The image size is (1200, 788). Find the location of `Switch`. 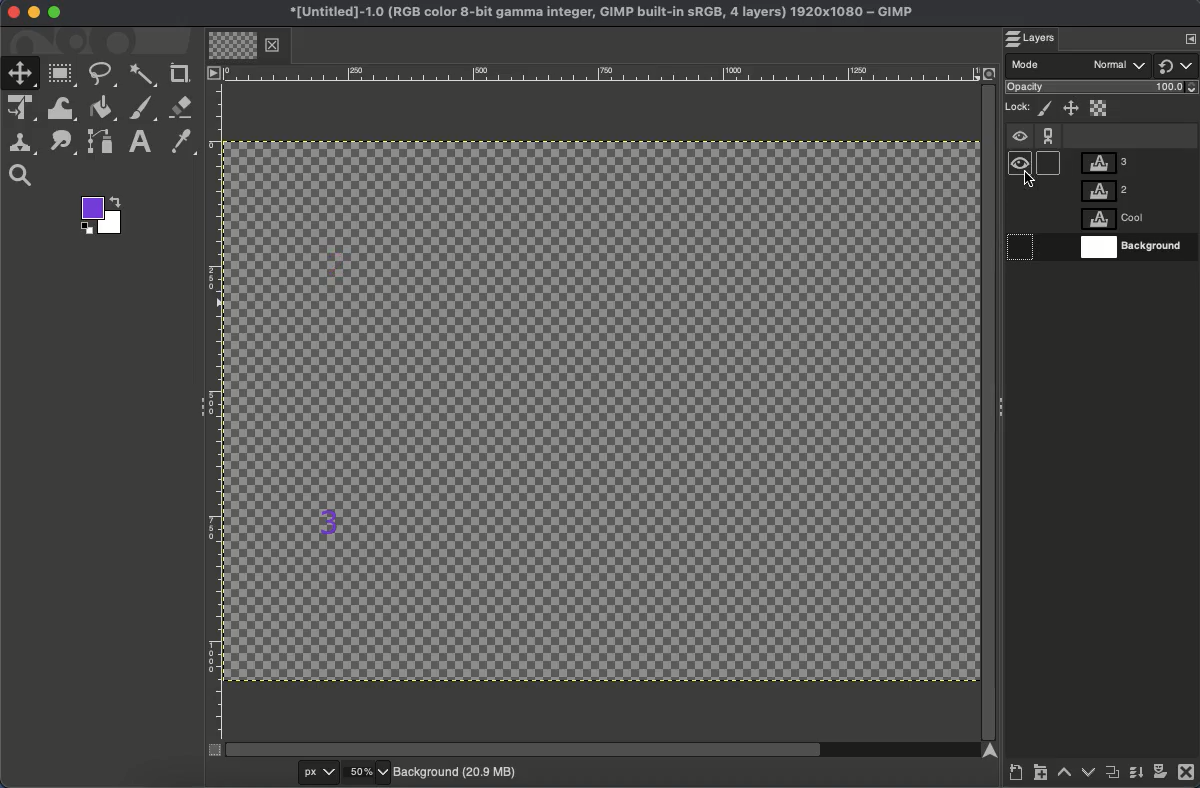

Switch is located at coordinates (1177, 65).